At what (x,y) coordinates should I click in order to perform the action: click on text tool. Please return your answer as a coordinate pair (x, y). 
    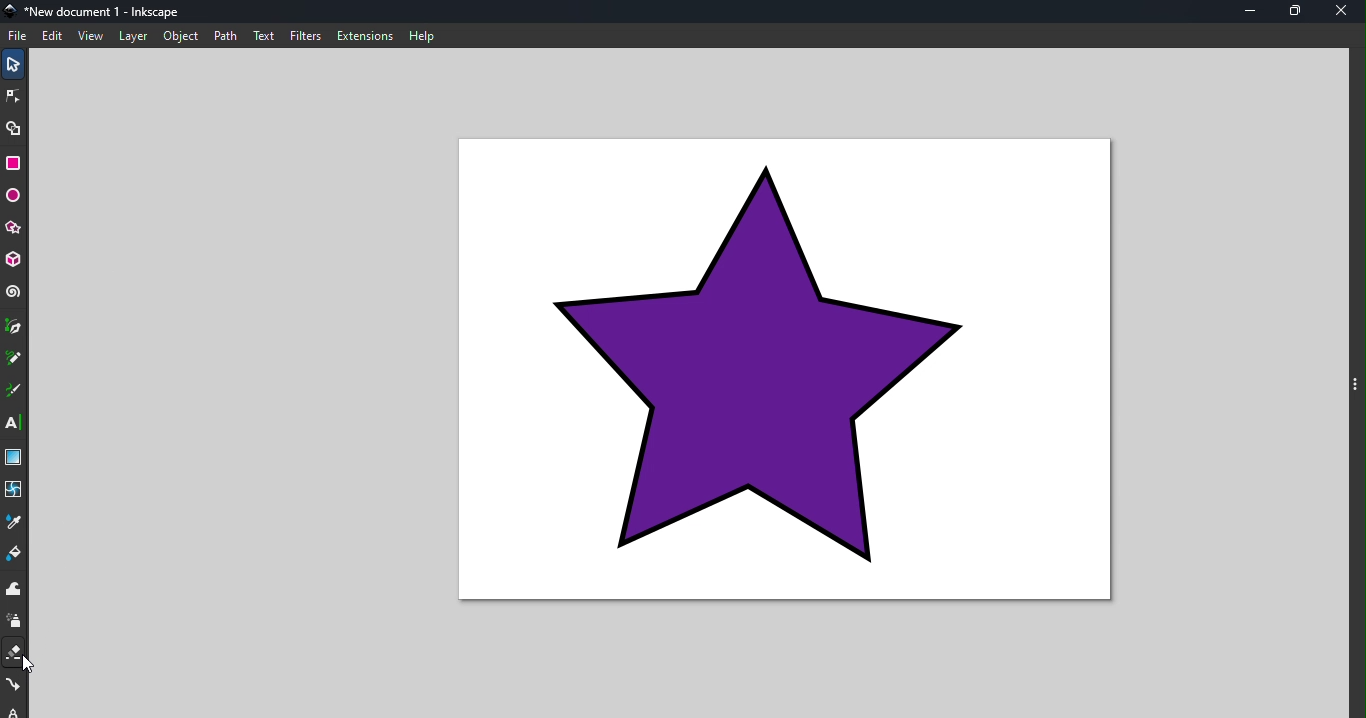
    Looking at the image, I should click on (14, 422).